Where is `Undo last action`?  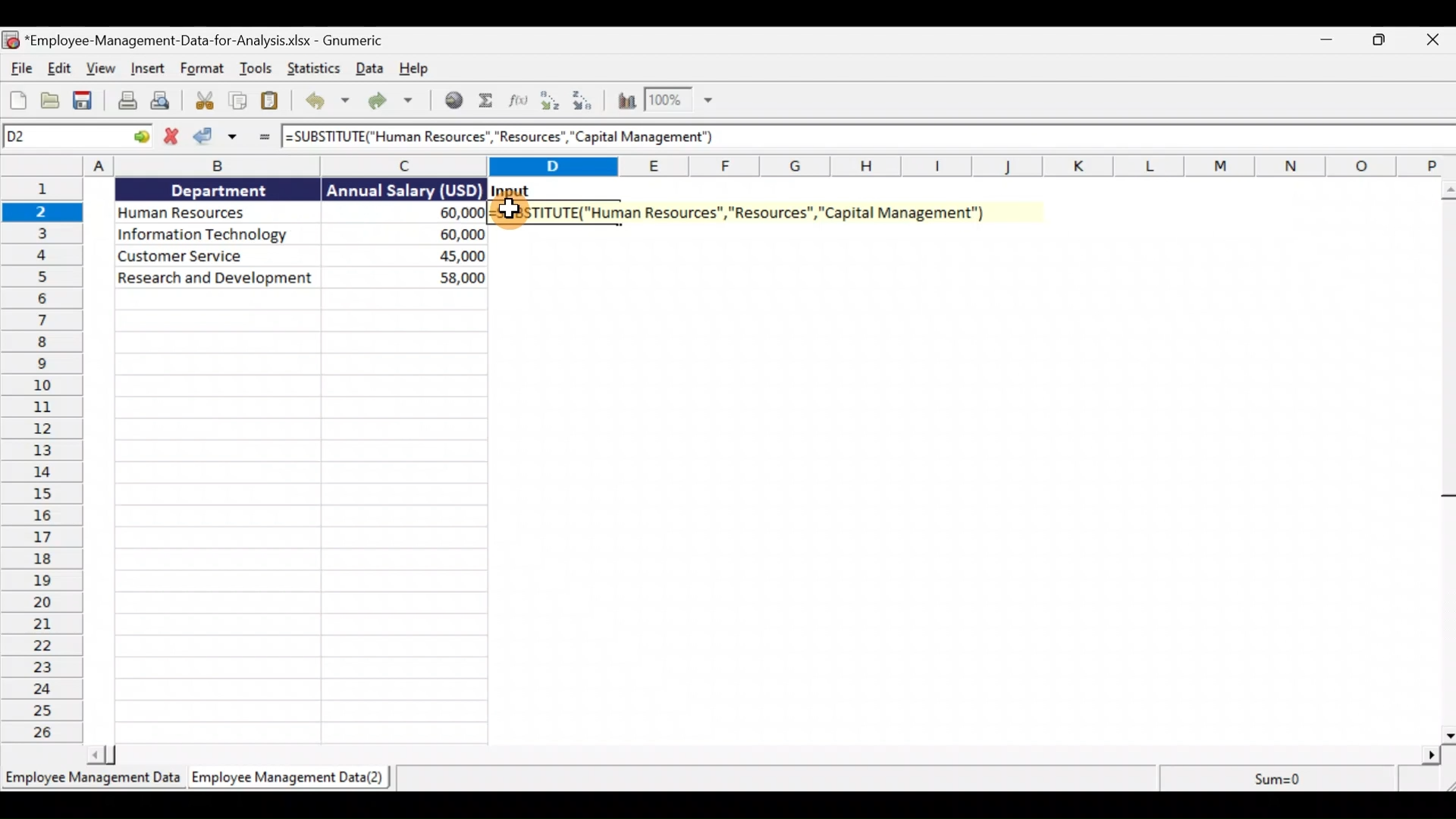 Undo last action is located at coordinates (325, 102).